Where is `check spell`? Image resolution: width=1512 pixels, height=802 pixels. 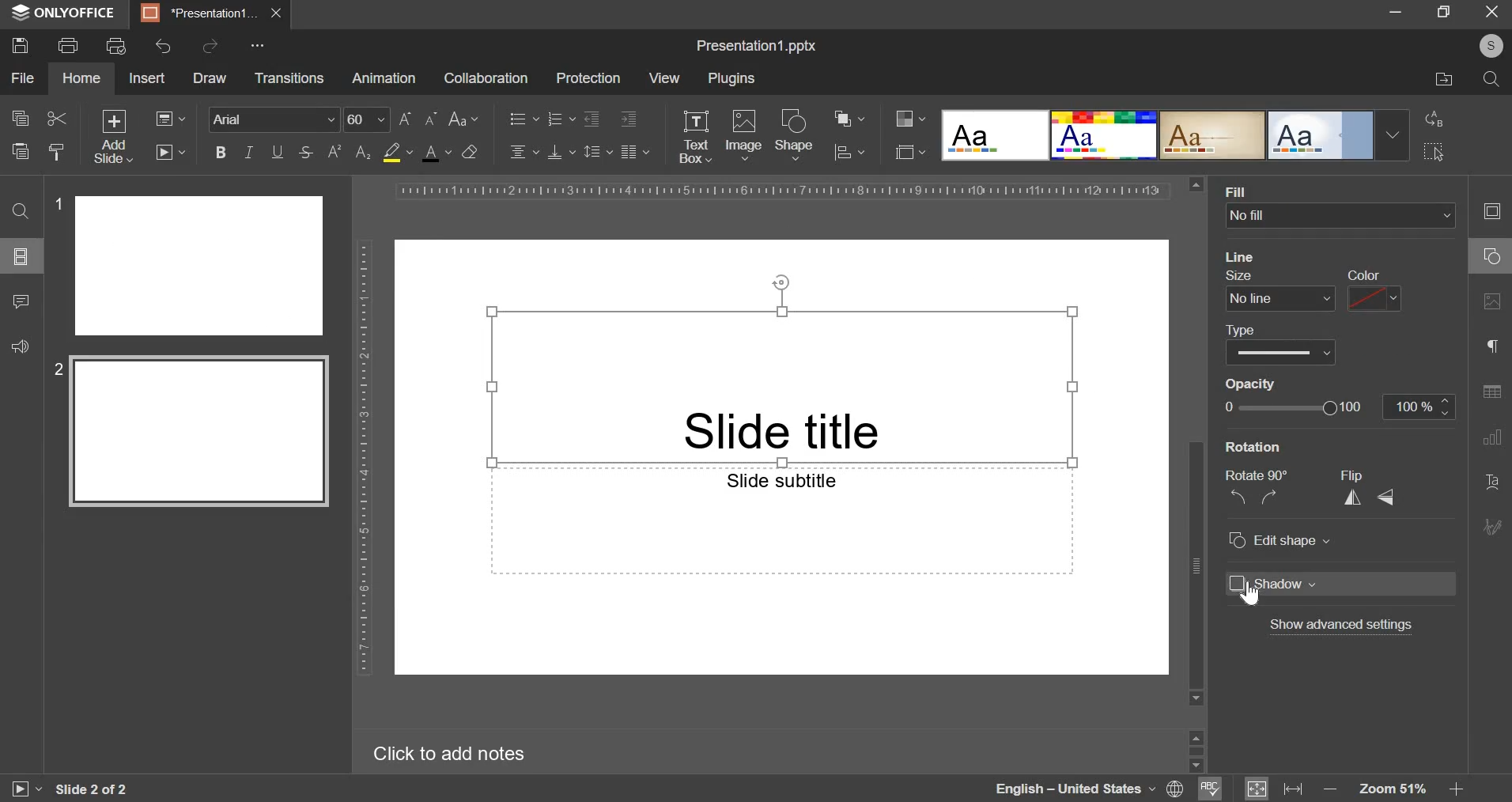 check spell is located at coordinates (1208, 789).